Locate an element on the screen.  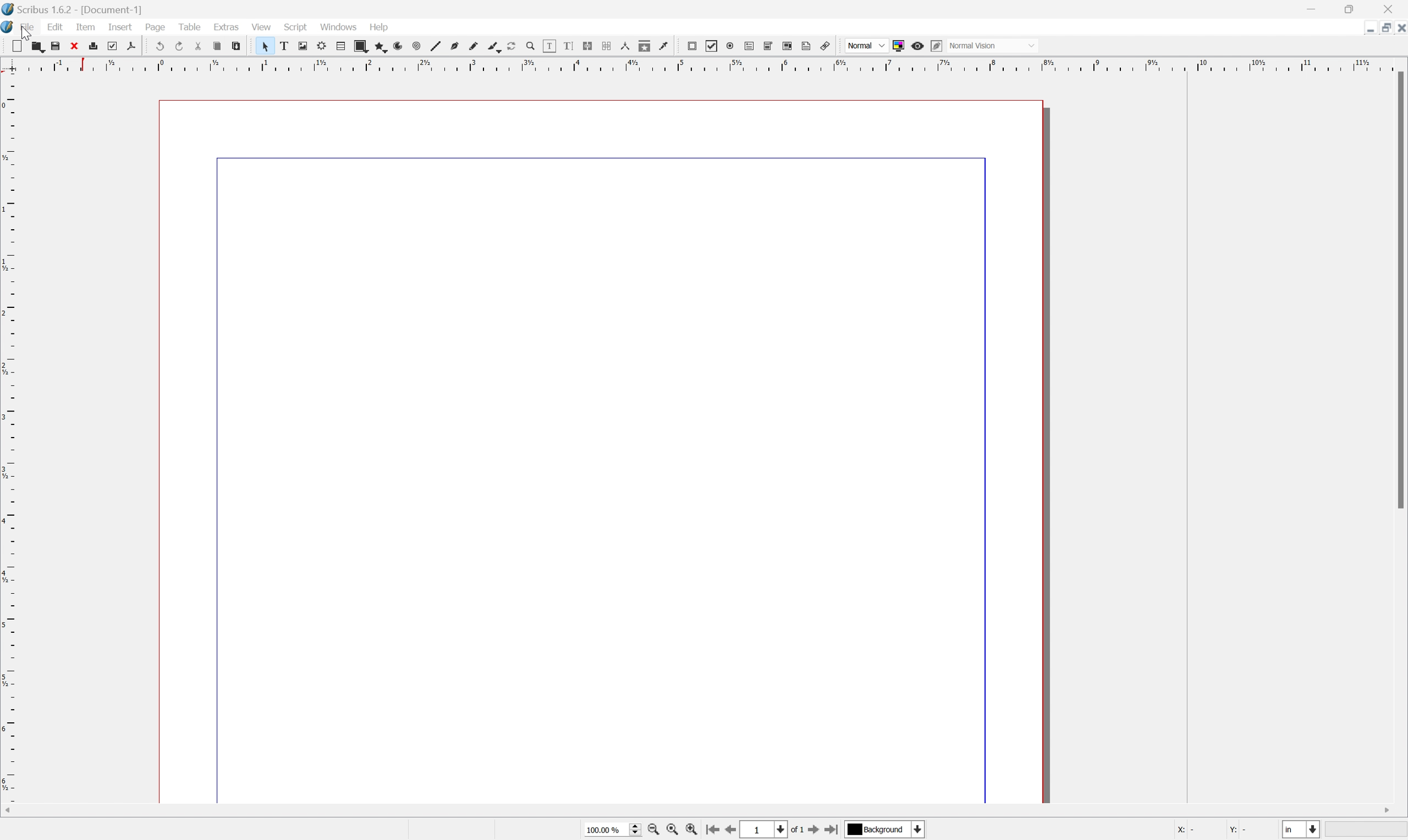
Edit is located at coordinates (55, 28).